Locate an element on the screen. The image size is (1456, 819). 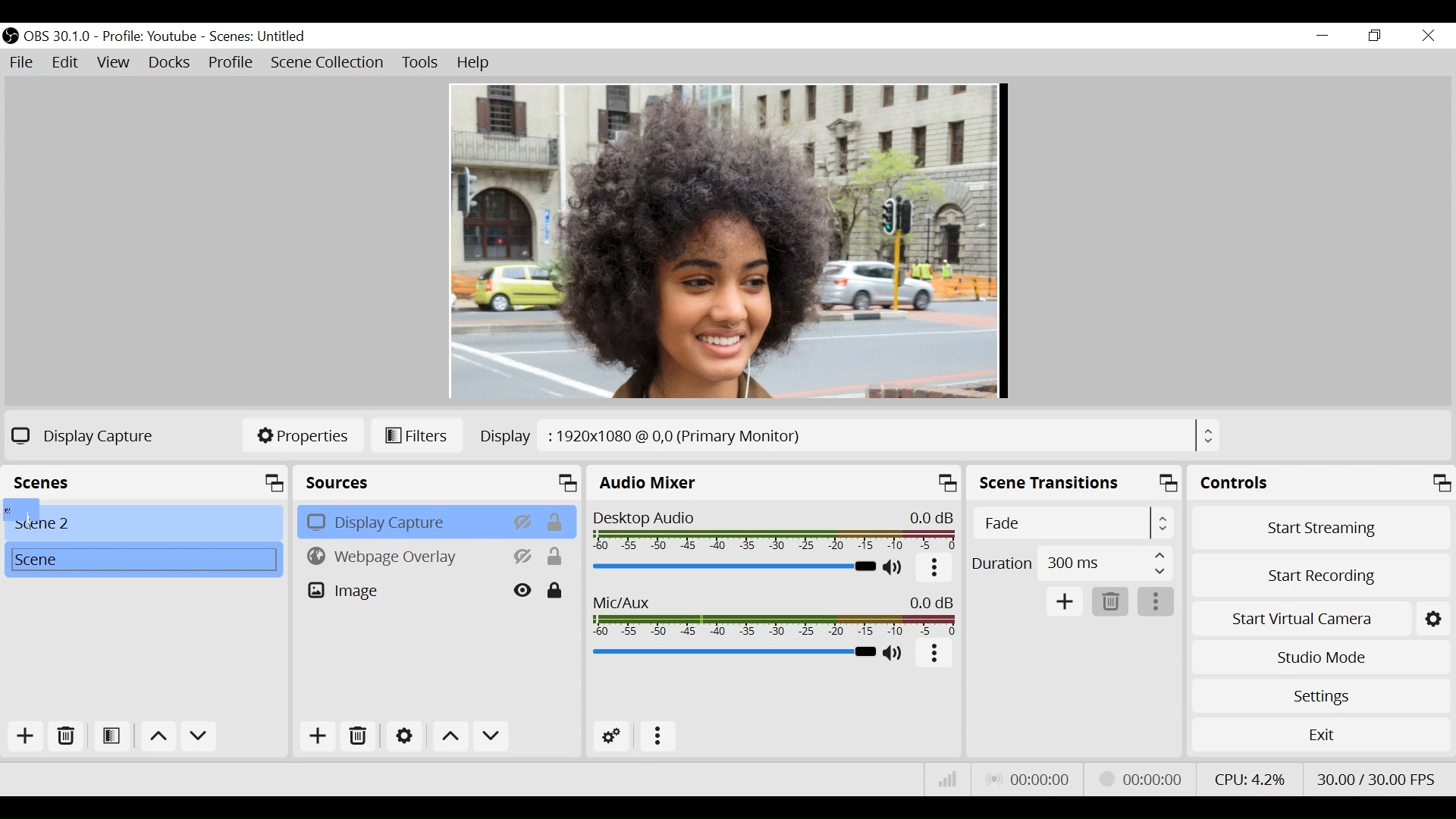
Scene is located at coordinates (144, 521).